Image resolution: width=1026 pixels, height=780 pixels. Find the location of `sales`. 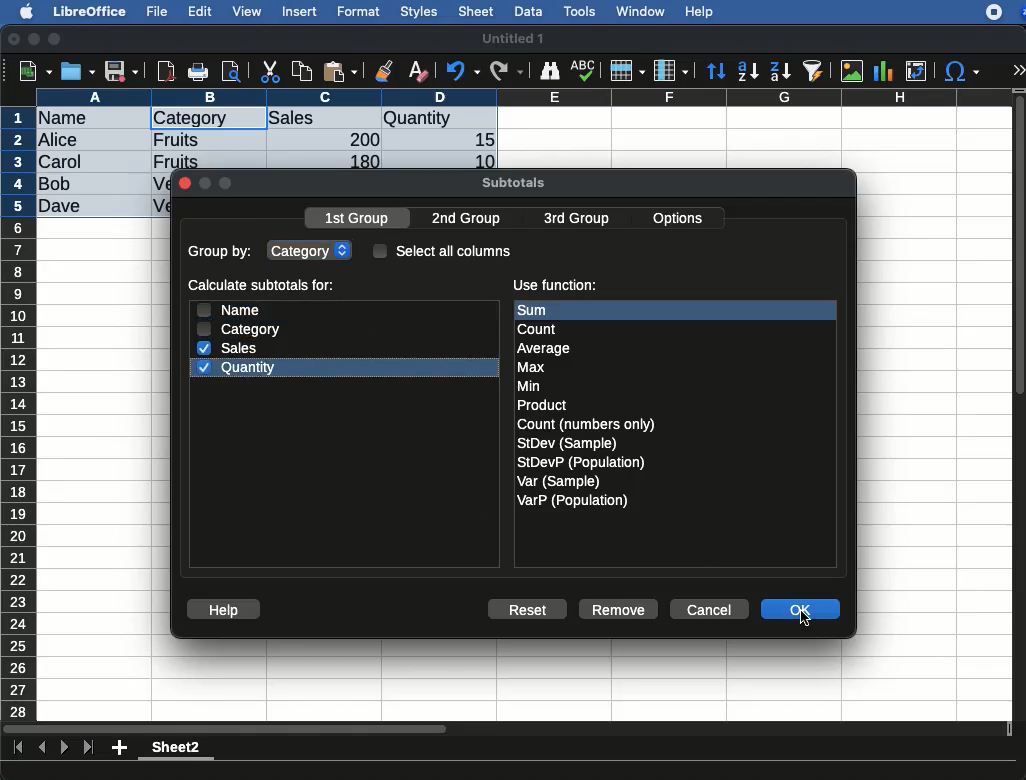

sales is located at coordinates (325, 119).